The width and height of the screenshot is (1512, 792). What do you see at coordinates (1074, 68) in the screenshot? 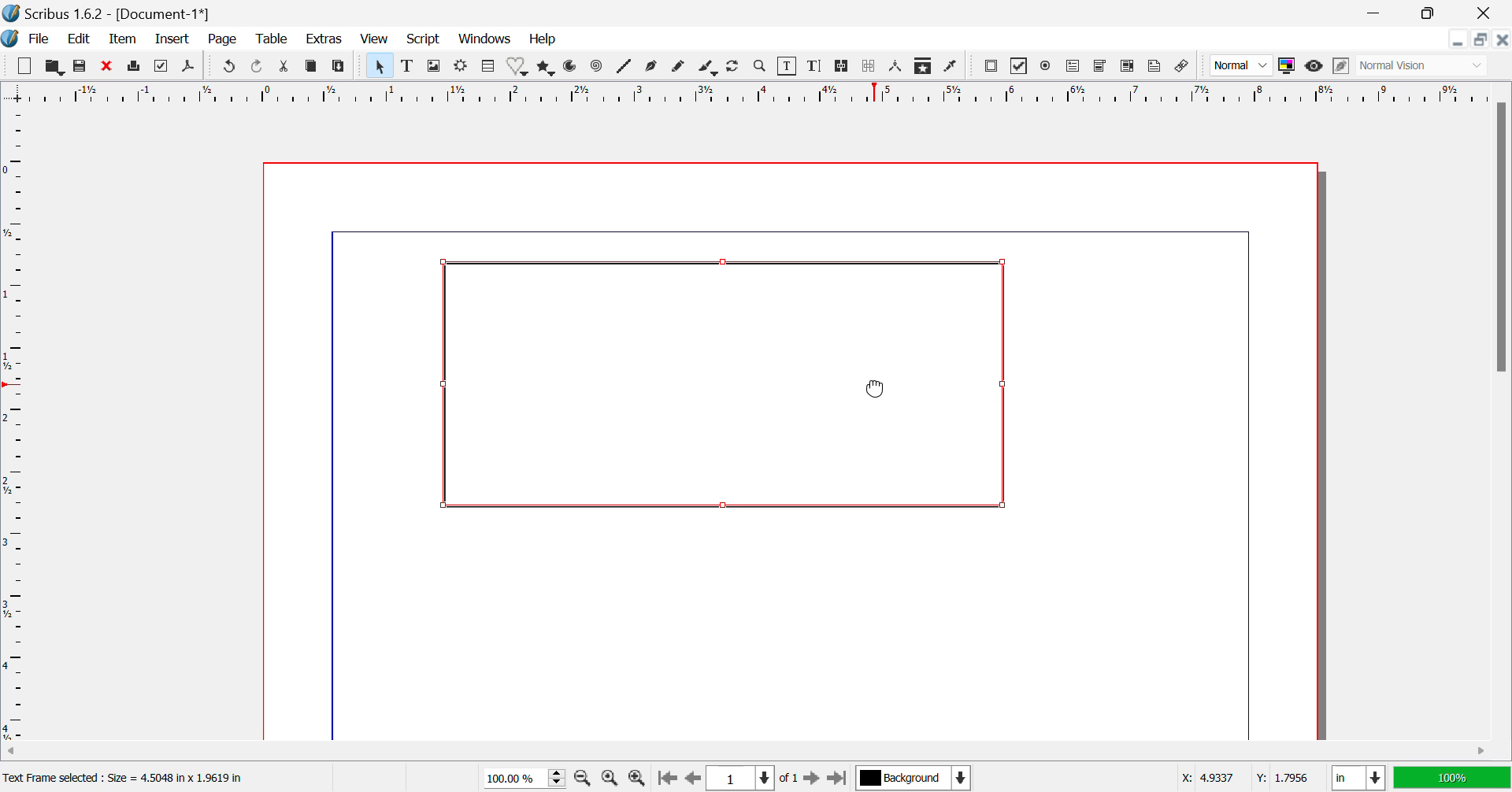
I see `Pdf Text Field` at bounding box center [1074, 68].